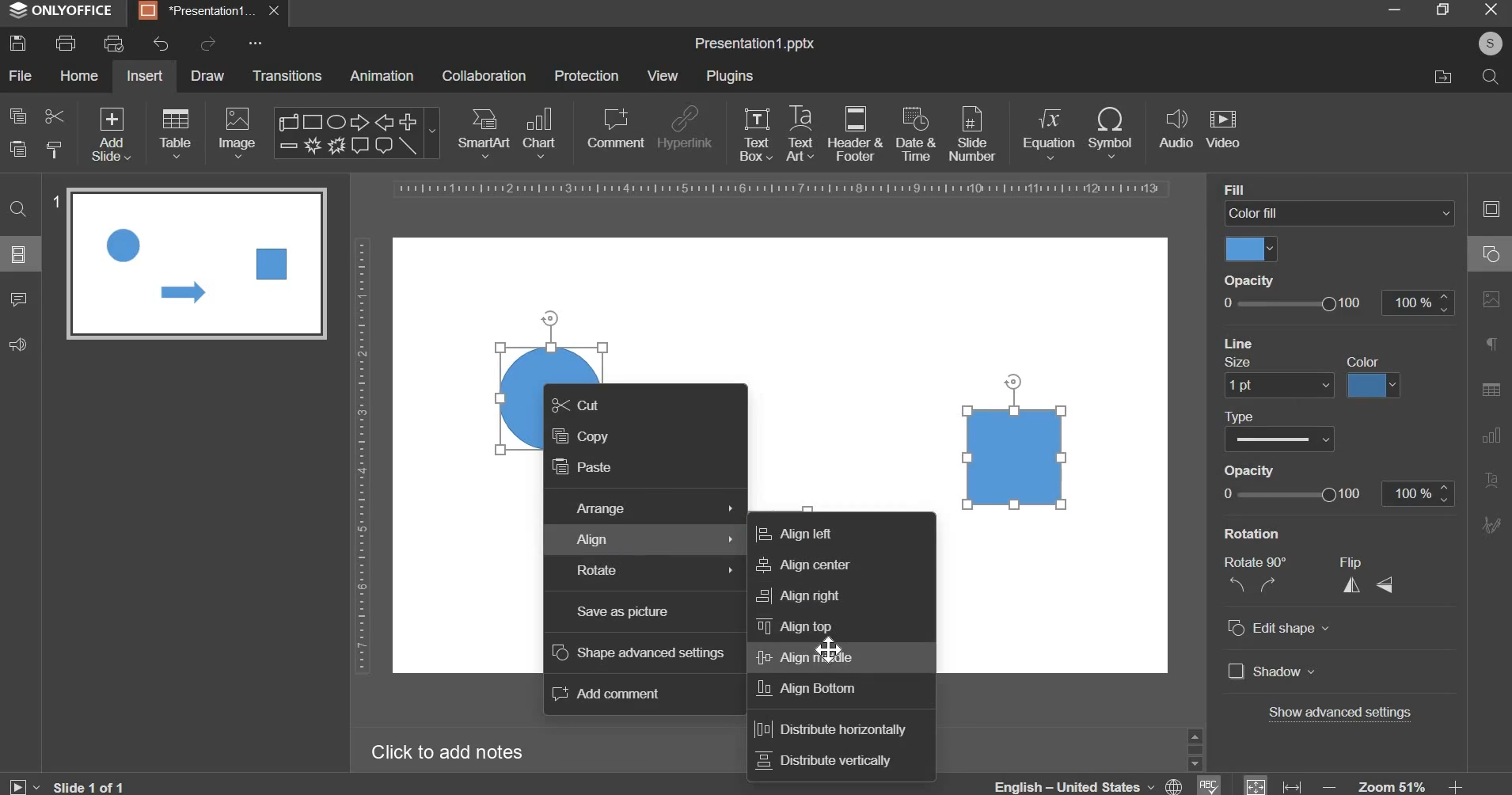 Image resolution: width=1512 pixels, height=795 pixels. What do you see at coordinates (1371, 386) in the screenshot?
I see `line color` at bounding box center [1371, 386].